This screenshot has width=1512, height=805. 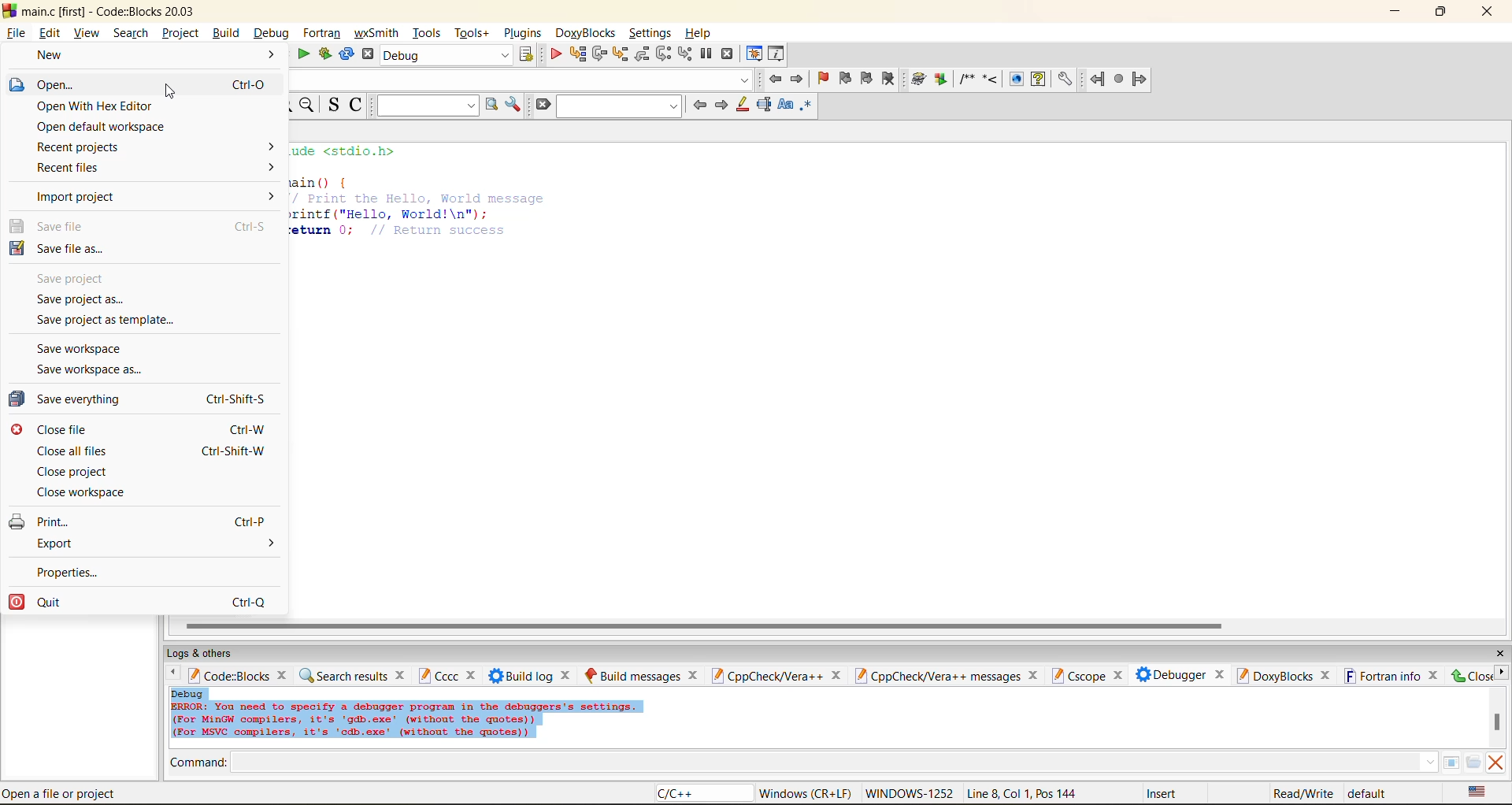 I want to click on next line, so click(x=598, y=54).